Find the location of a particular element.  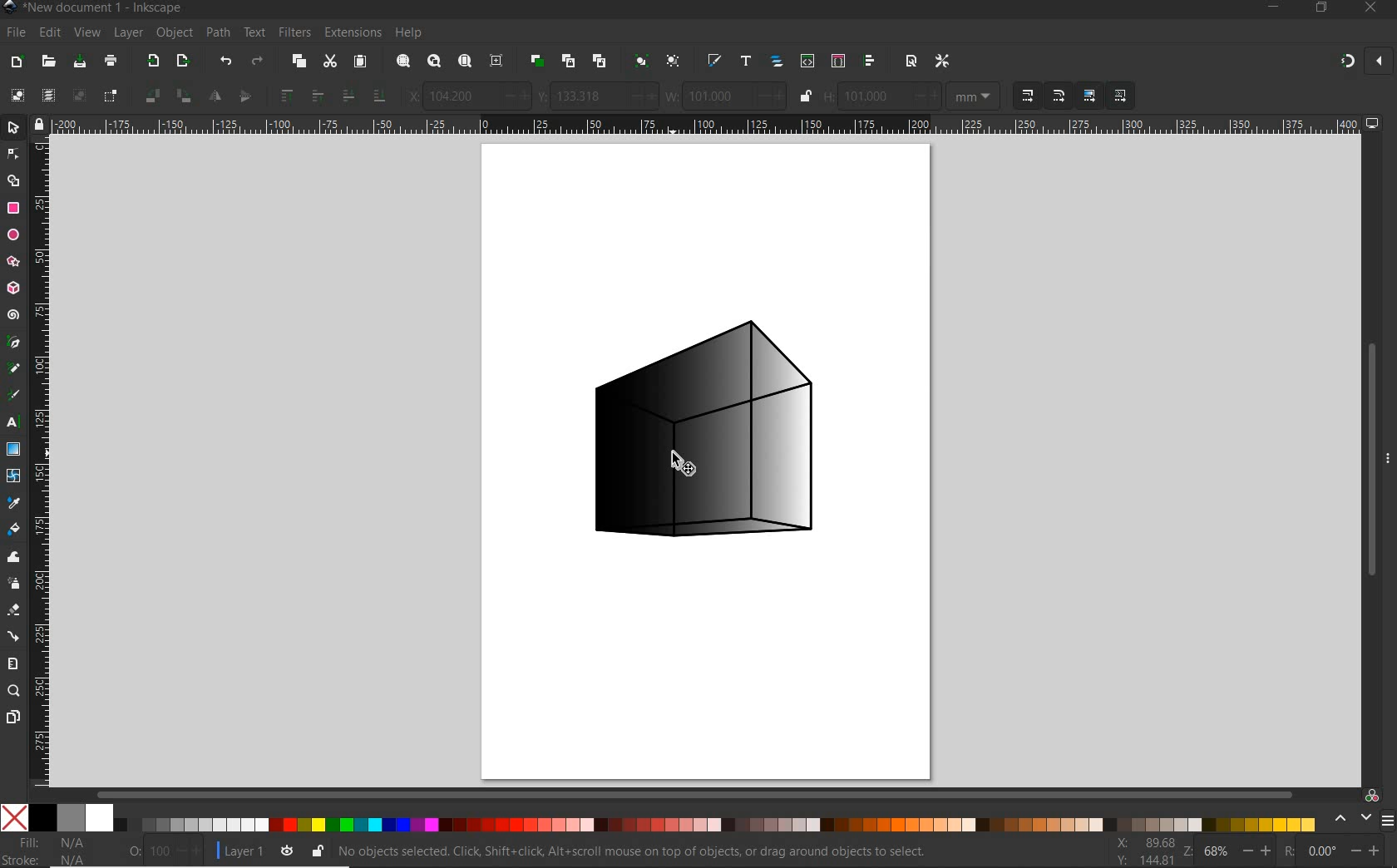

ZOOM CENTER PAGE is located at coordinates (497, 61).